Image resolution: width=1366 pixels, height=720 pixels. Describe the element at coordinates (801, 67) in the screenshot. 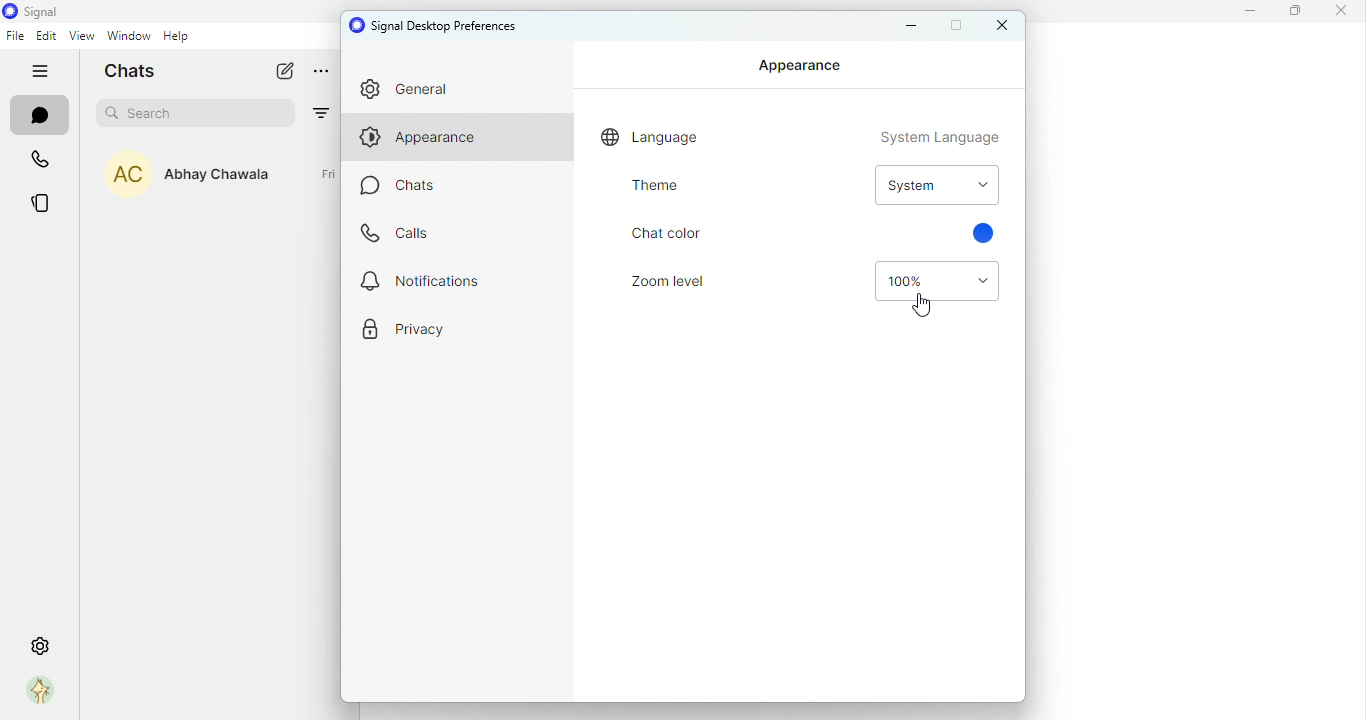

I see `Appearance` at that location.